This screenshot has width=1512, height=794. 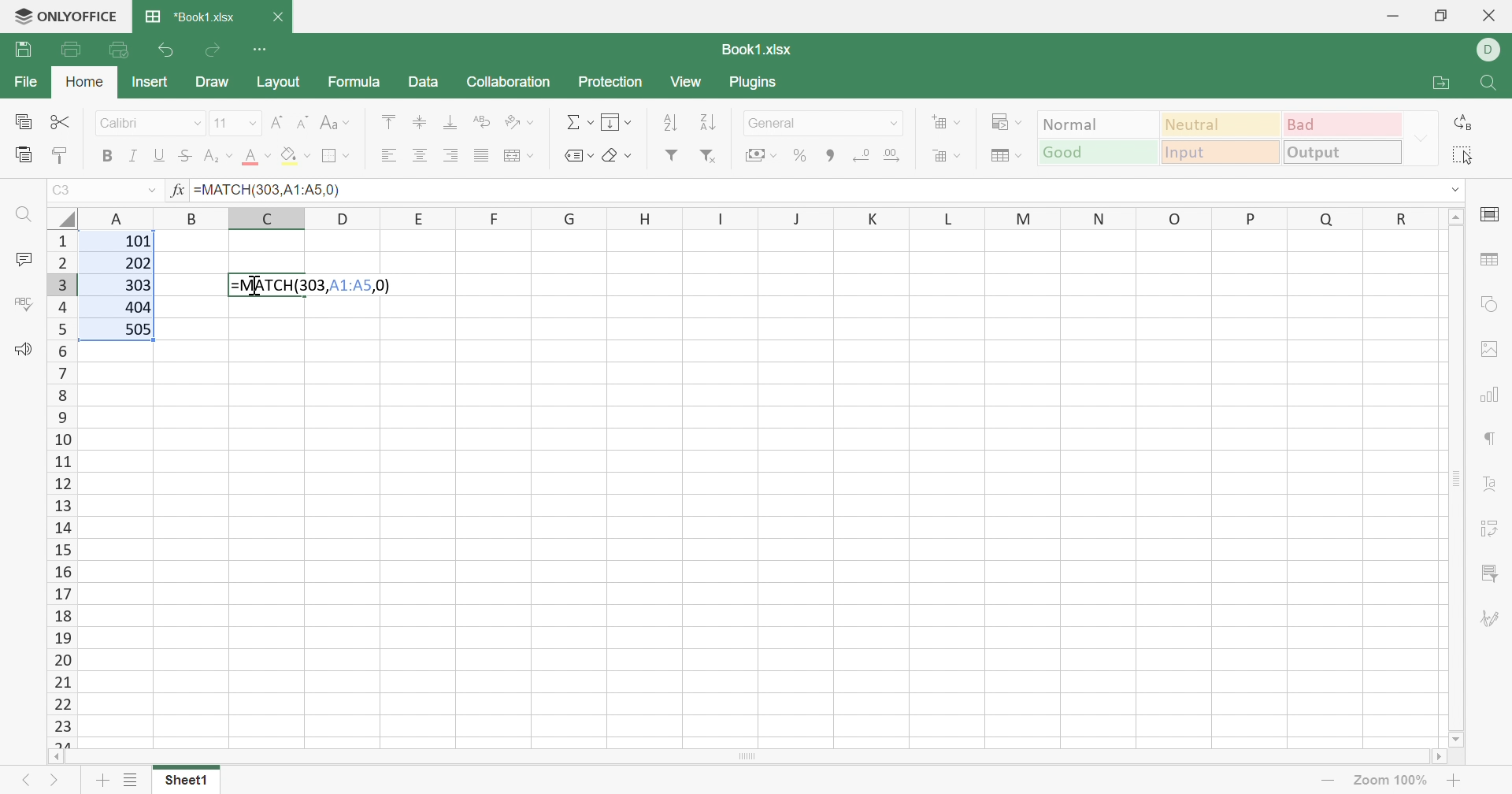 I want to click on Fill, so click(x=295, y=157).